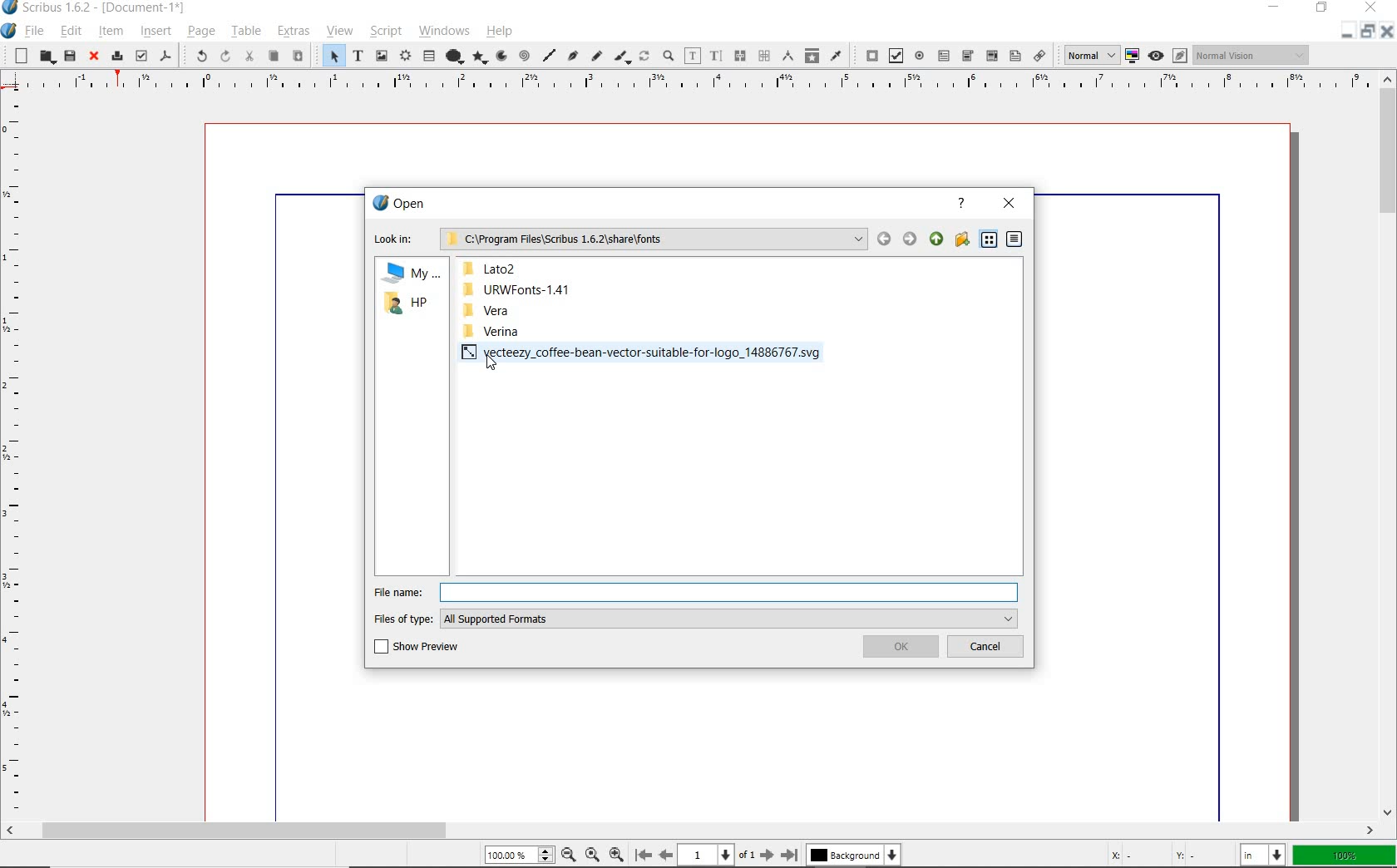  I want to click on edit, so click(72, 32).